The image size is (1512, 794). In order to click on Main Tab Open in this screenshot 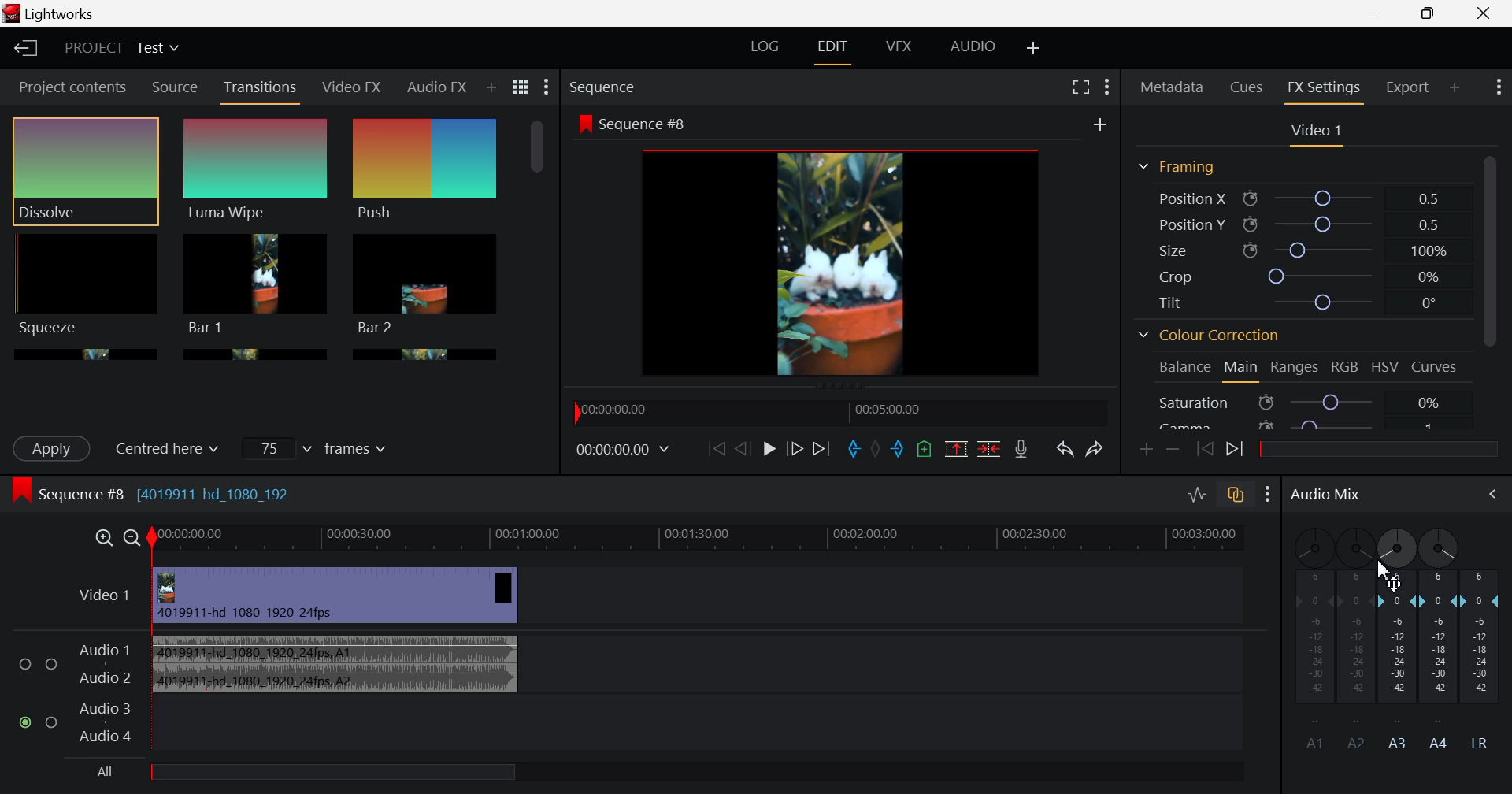, I will do `click(1242, 369)`.